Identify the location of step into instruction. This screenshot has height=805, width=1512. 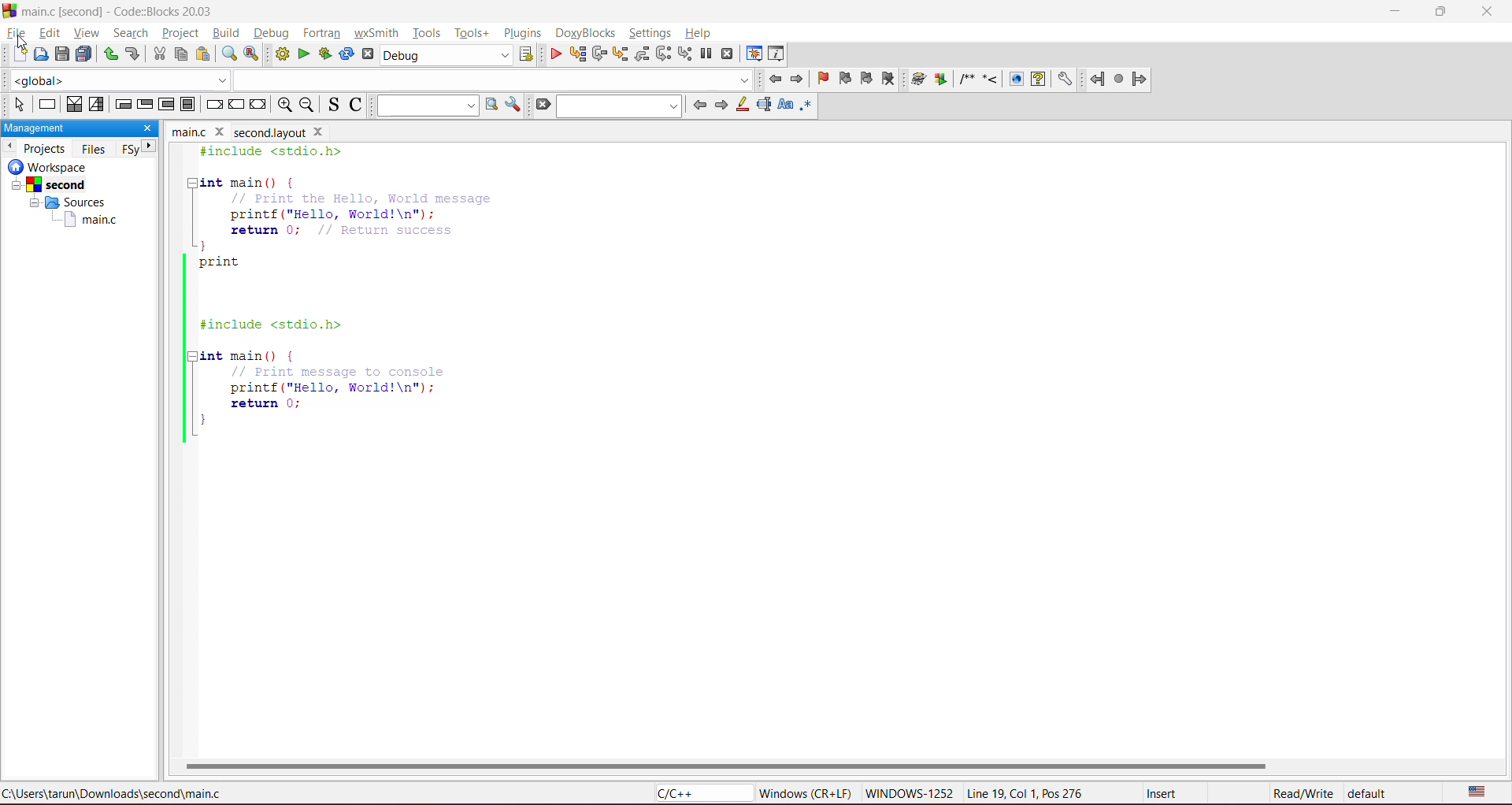
(684, 53).